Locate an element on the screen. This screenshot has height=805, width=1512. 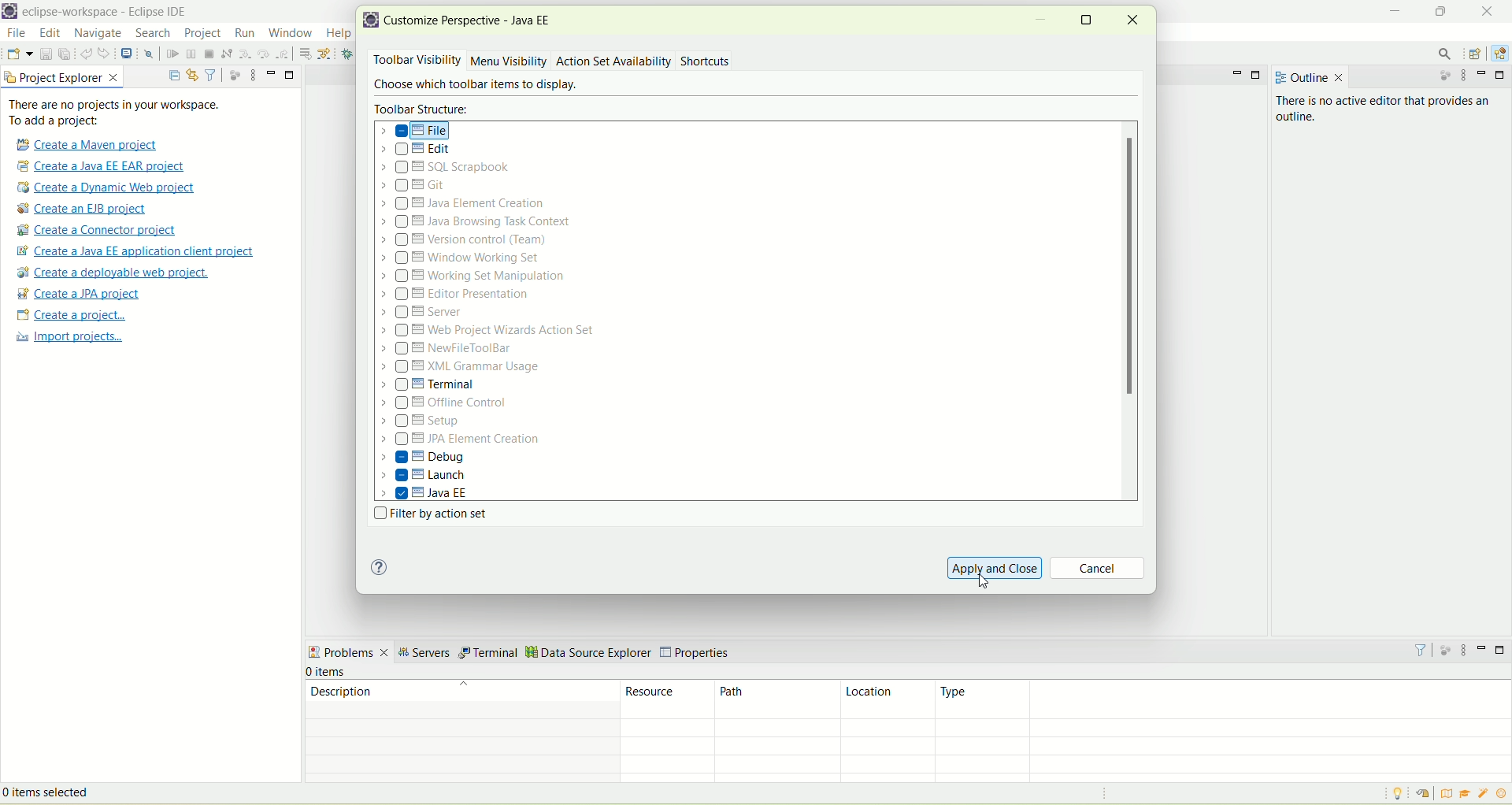
logo is located at coordinates (372, 22).